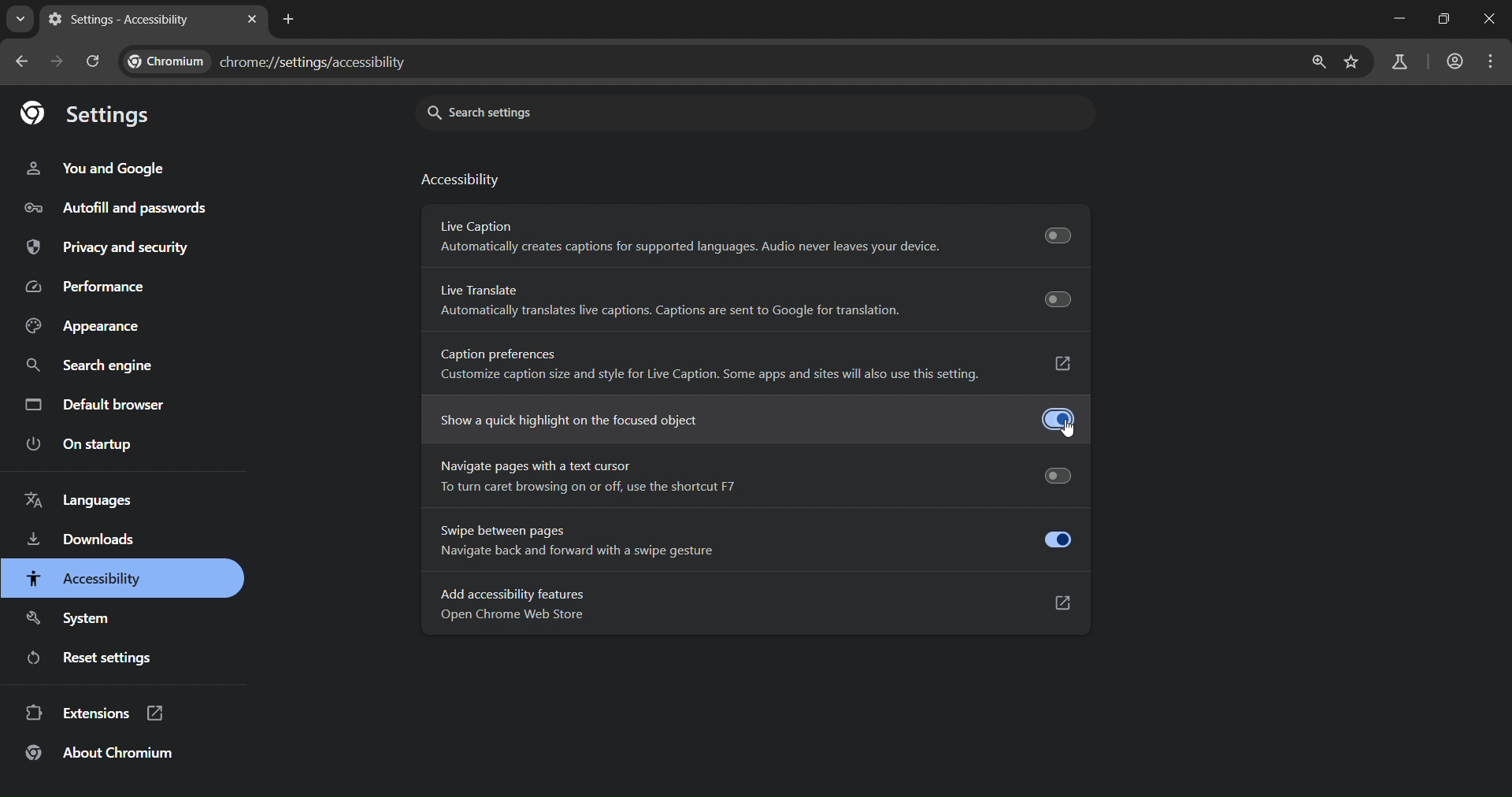 The image size is (1512, 797). What do you see at coordinates (1399, 19) in the screenshot?
I see `minimize` at bounding box center [1399, 19].